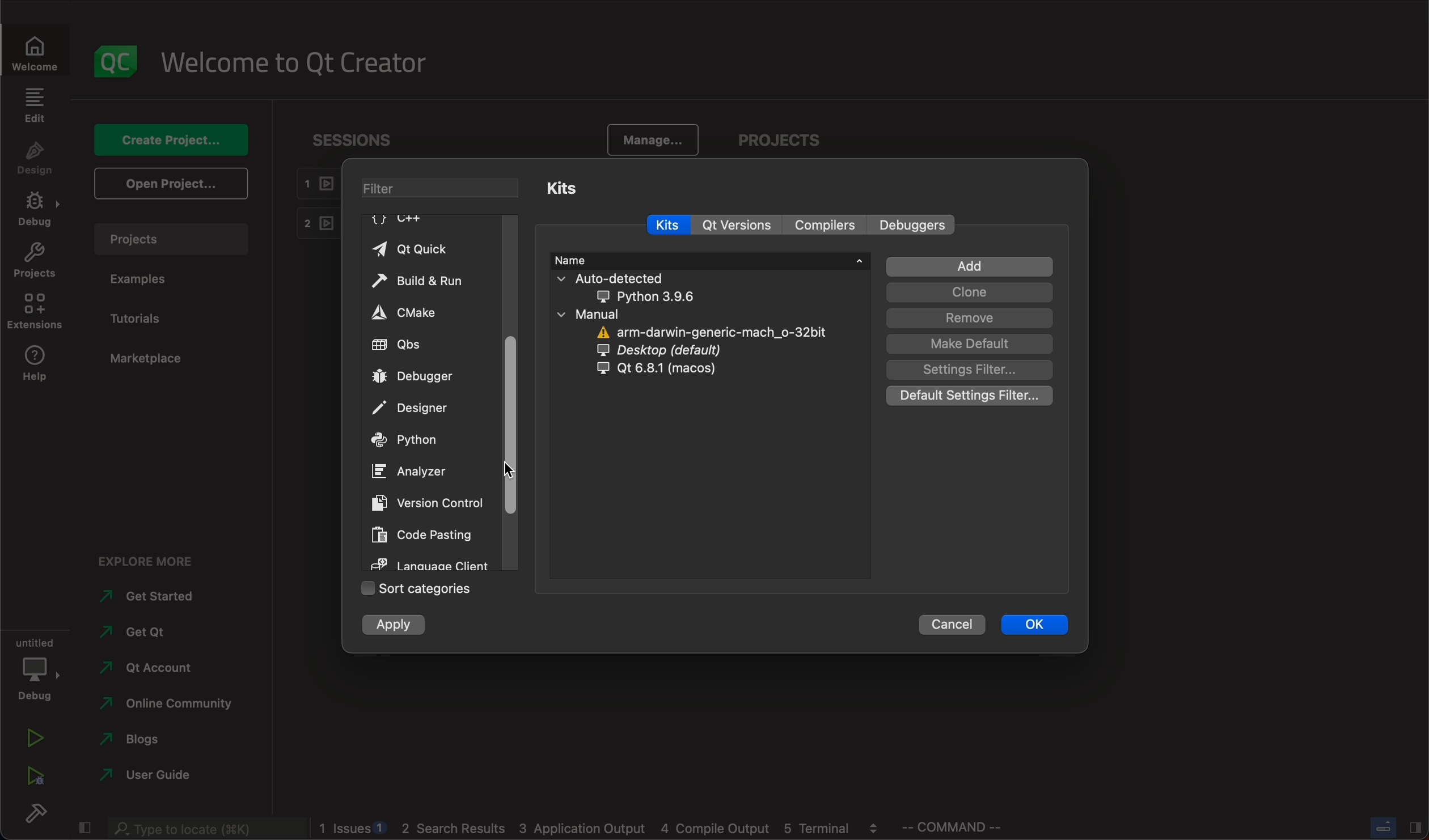 This screenshot has height=840, width=1429. I want to click on create, so click(168, 139).